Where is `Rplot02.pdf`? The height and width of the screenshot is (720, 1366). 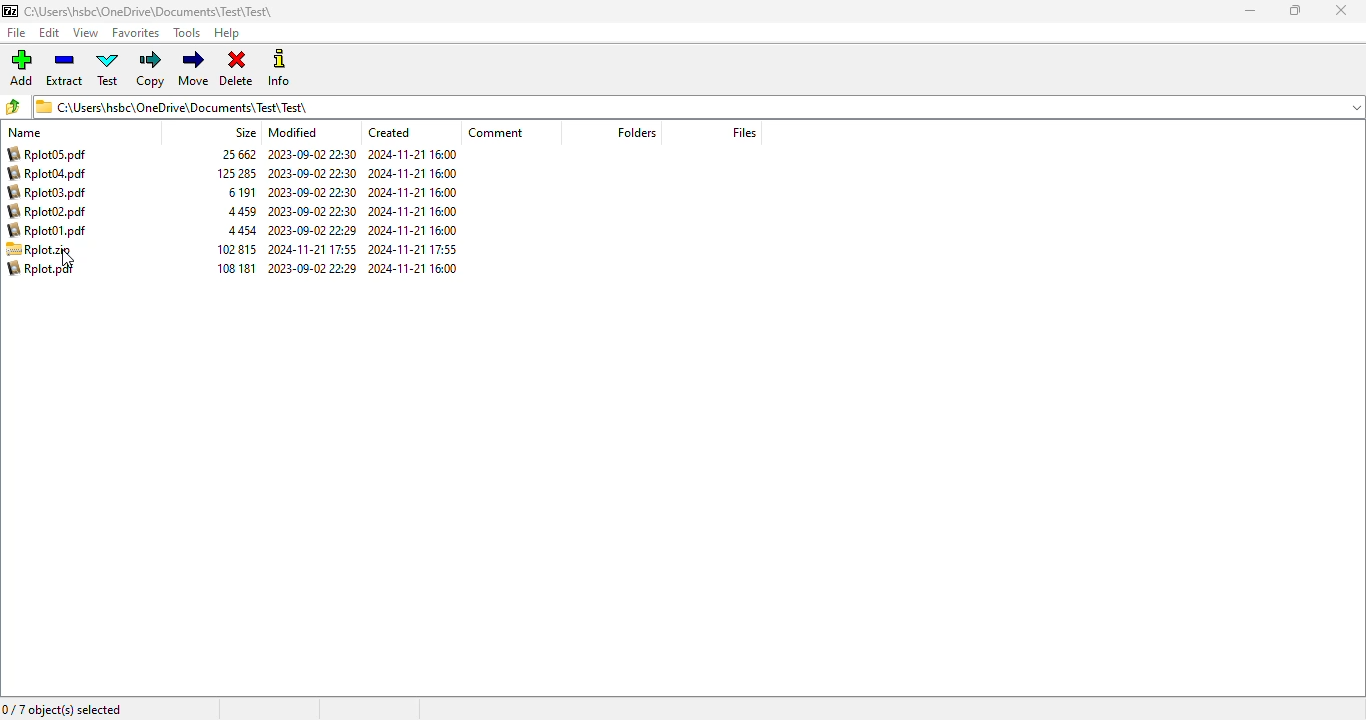
Rplot02.pdf is located at coordinates (51, 212).